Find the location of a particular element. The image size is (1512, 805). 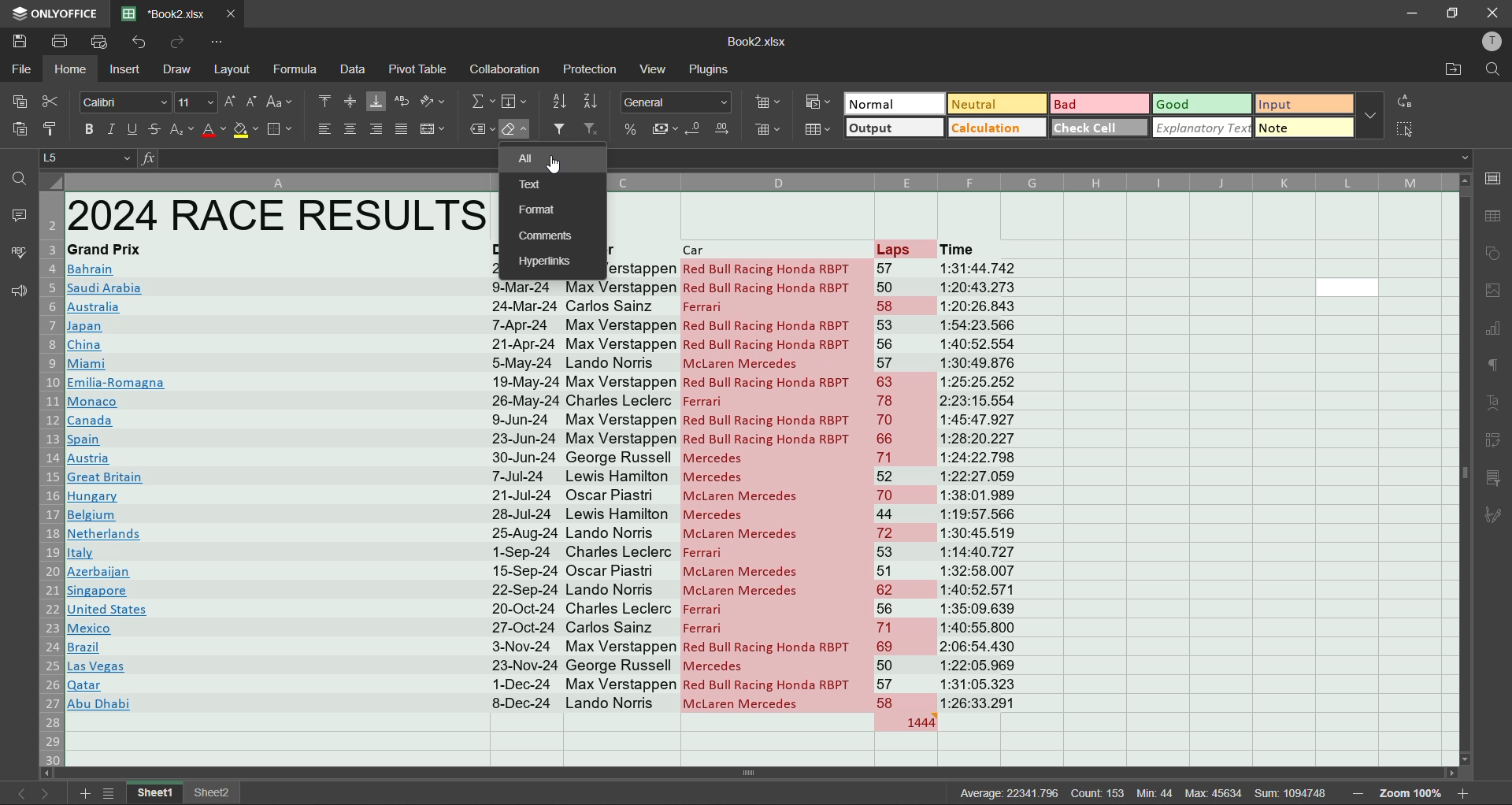

italic is located at coordinates (110, 129).